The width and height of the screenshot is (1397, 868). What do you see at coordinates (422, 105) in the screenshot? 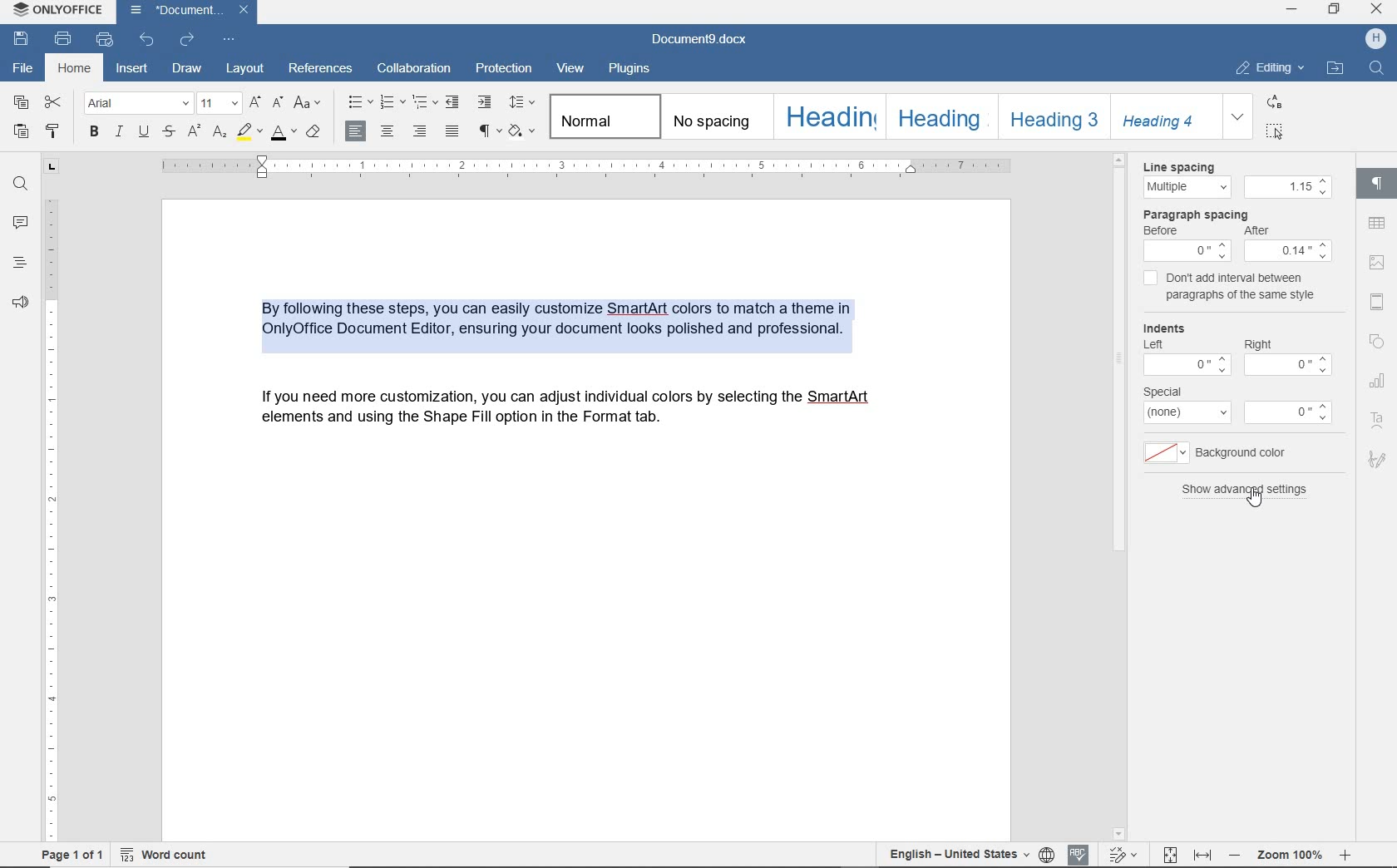
I see `multilevel list` at bounding box center [422, 105].